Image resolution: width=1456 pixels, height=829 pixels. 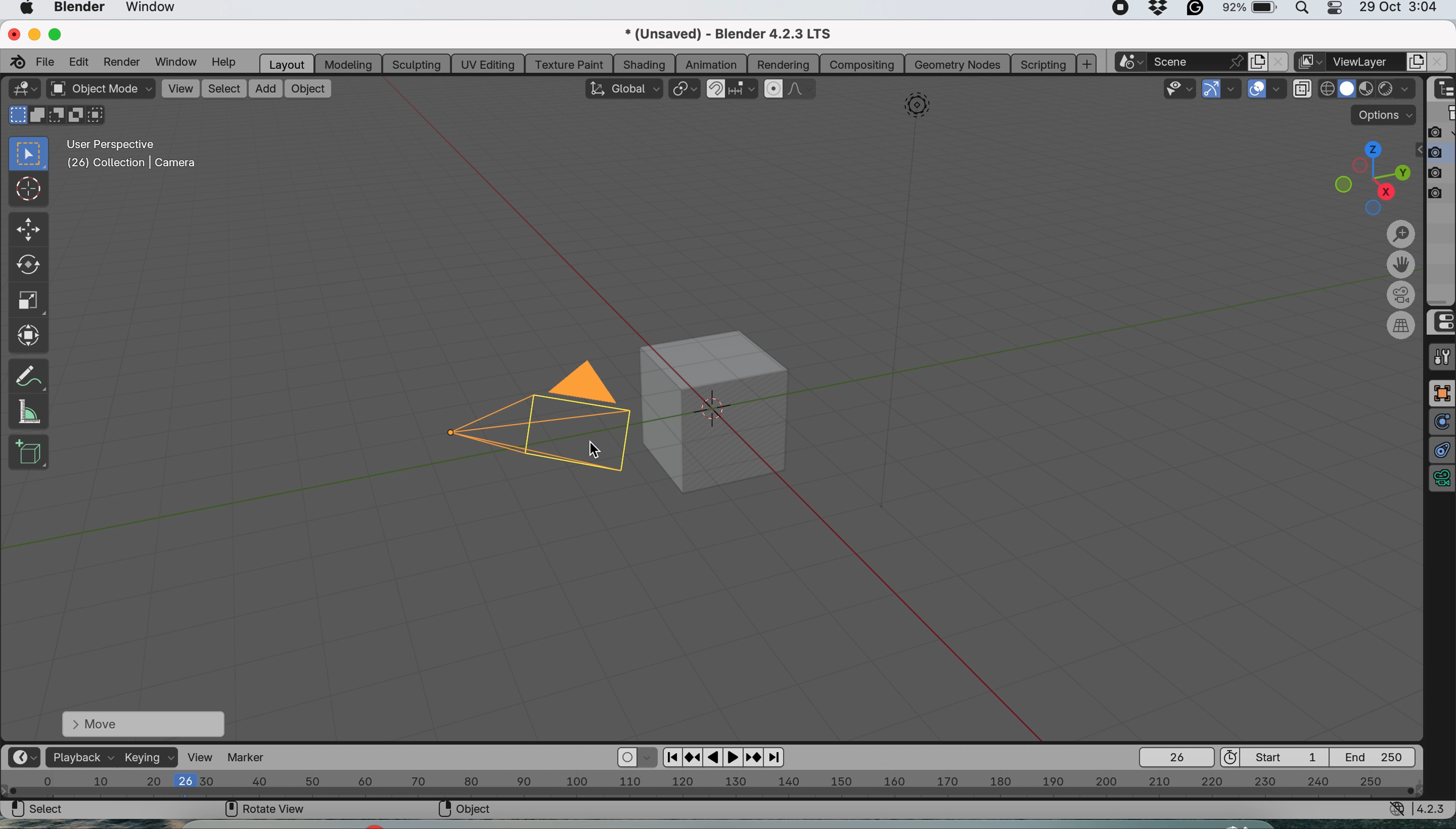 I want to click on pause, so click(x=715, y=758).